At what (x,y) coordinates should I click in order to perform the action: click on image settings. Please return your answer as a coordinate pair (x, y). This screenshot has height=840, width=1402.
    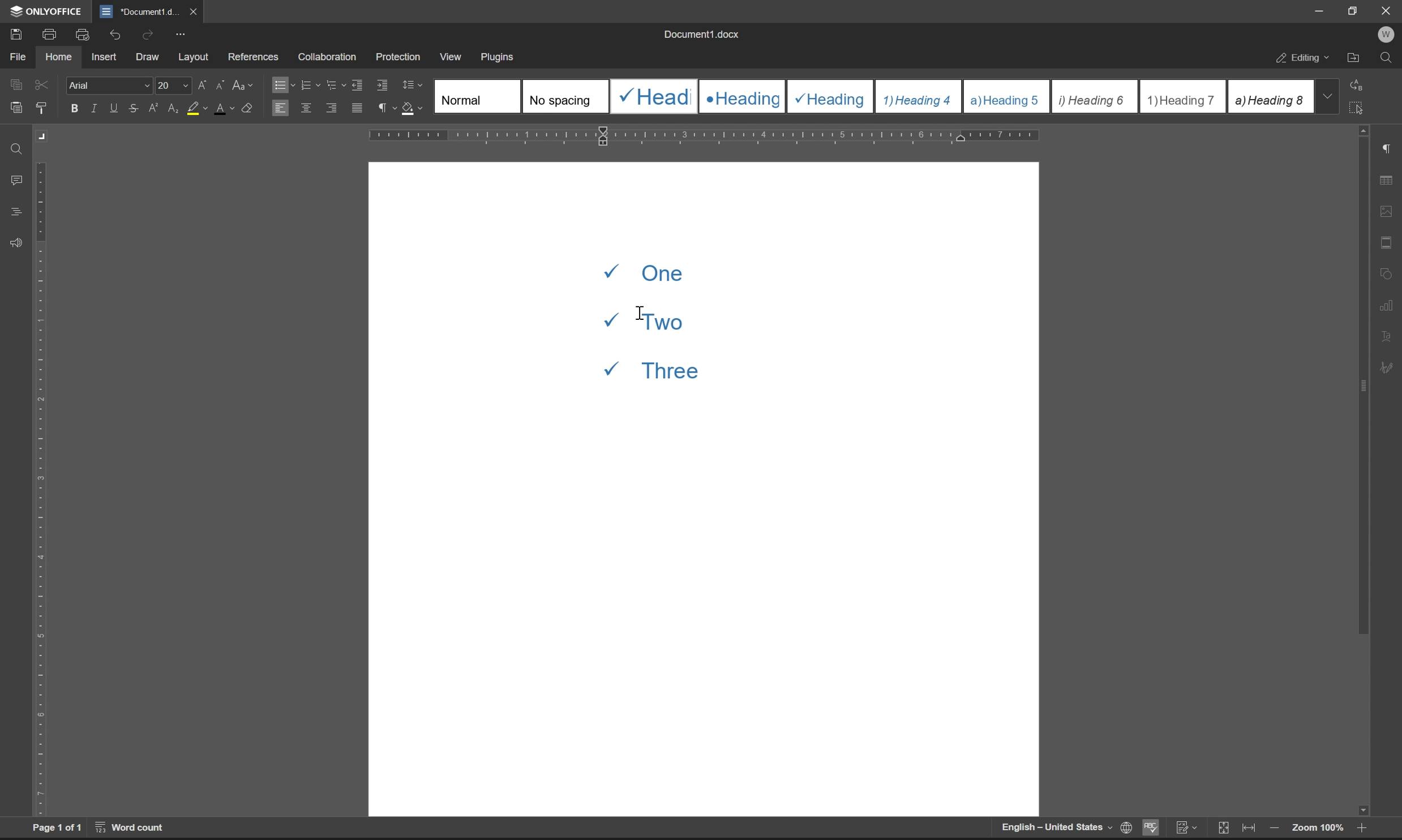
    Looking at the image, I should click on (1386, 208).